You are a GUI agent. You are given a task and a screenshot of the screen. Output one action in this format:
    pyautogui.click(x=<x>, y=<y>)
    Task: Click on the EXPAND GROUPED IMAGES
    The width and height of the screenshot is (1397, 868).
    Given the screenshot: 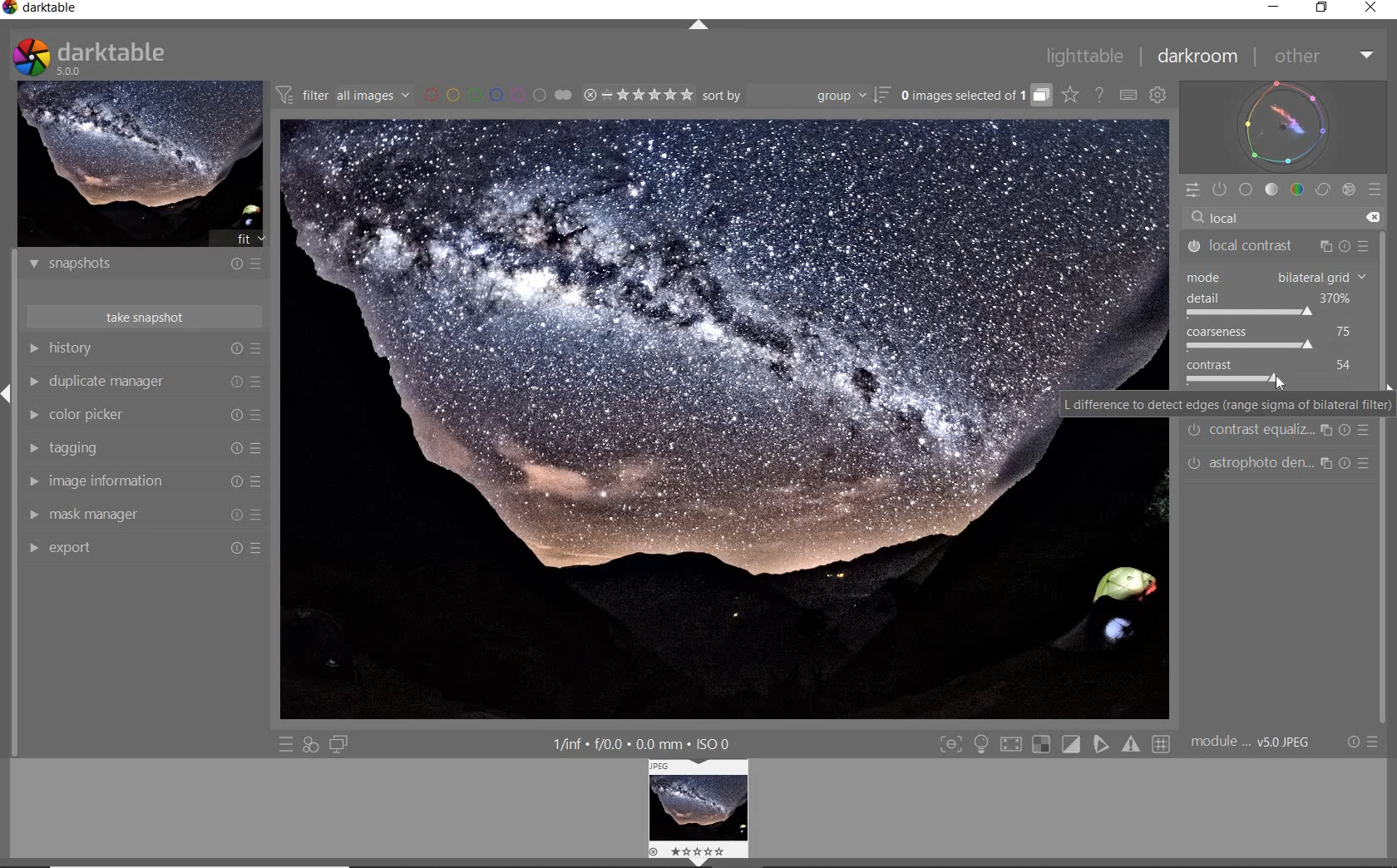 What is the action you would take?
    pyautogui.click(x=975, y=96)
    